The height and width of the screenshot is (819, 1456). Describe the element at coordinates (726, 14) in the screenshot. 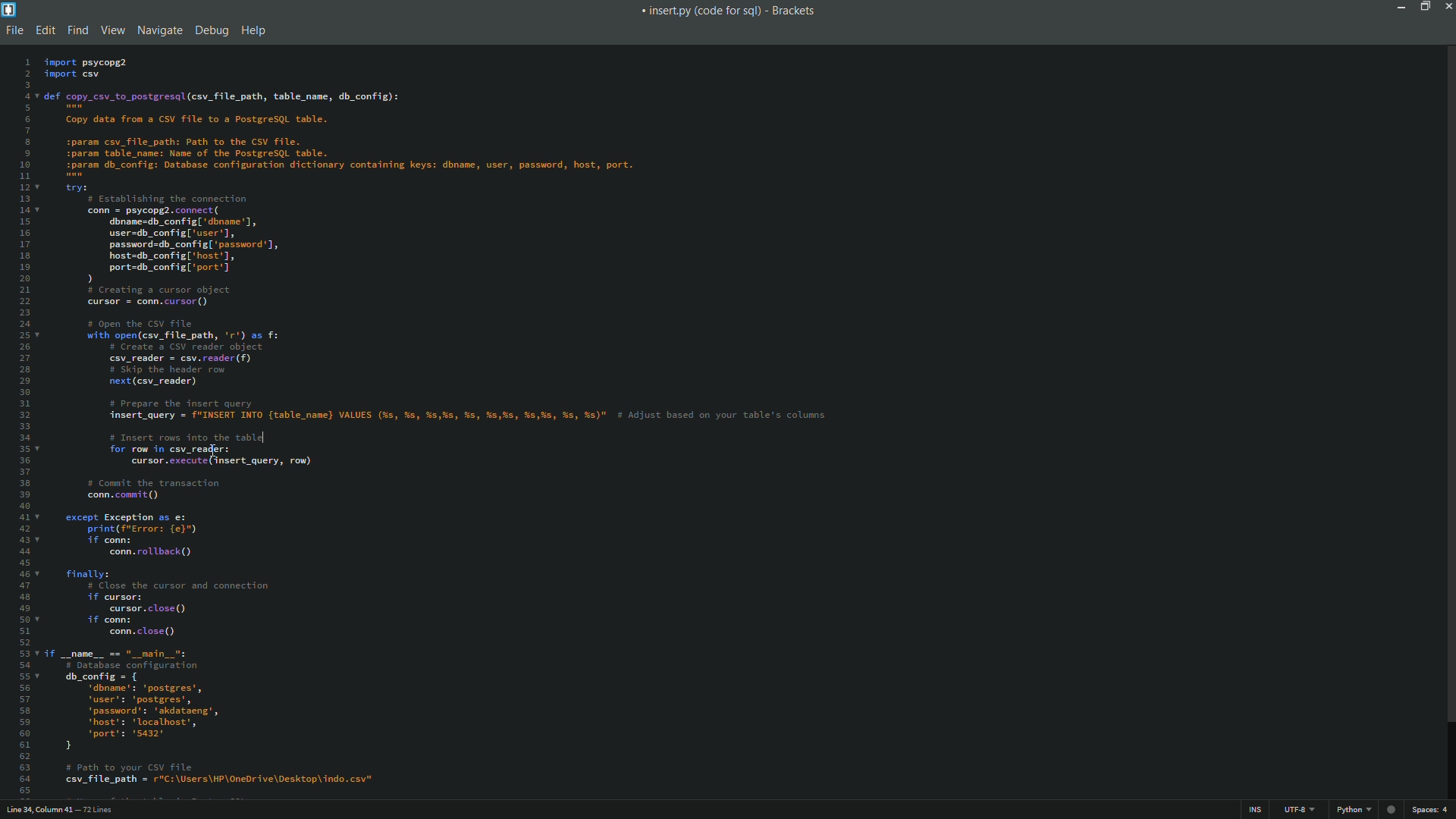

I see `« insert.py (code for sql) - Brackets` at that location.